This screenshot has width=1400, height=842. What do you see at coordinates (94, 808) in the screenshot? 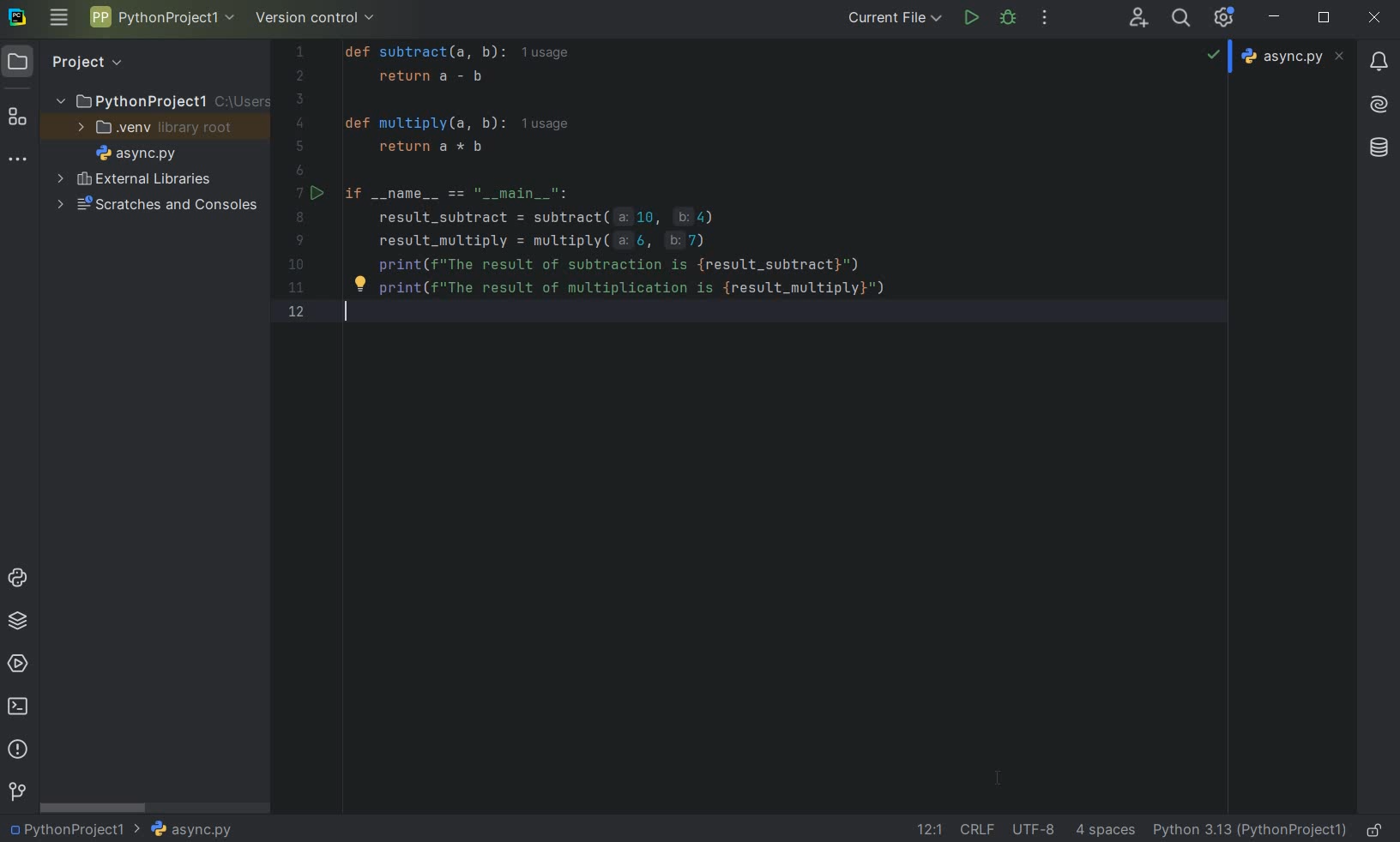
I see `scrollbar` at bounding box center [94, 808].